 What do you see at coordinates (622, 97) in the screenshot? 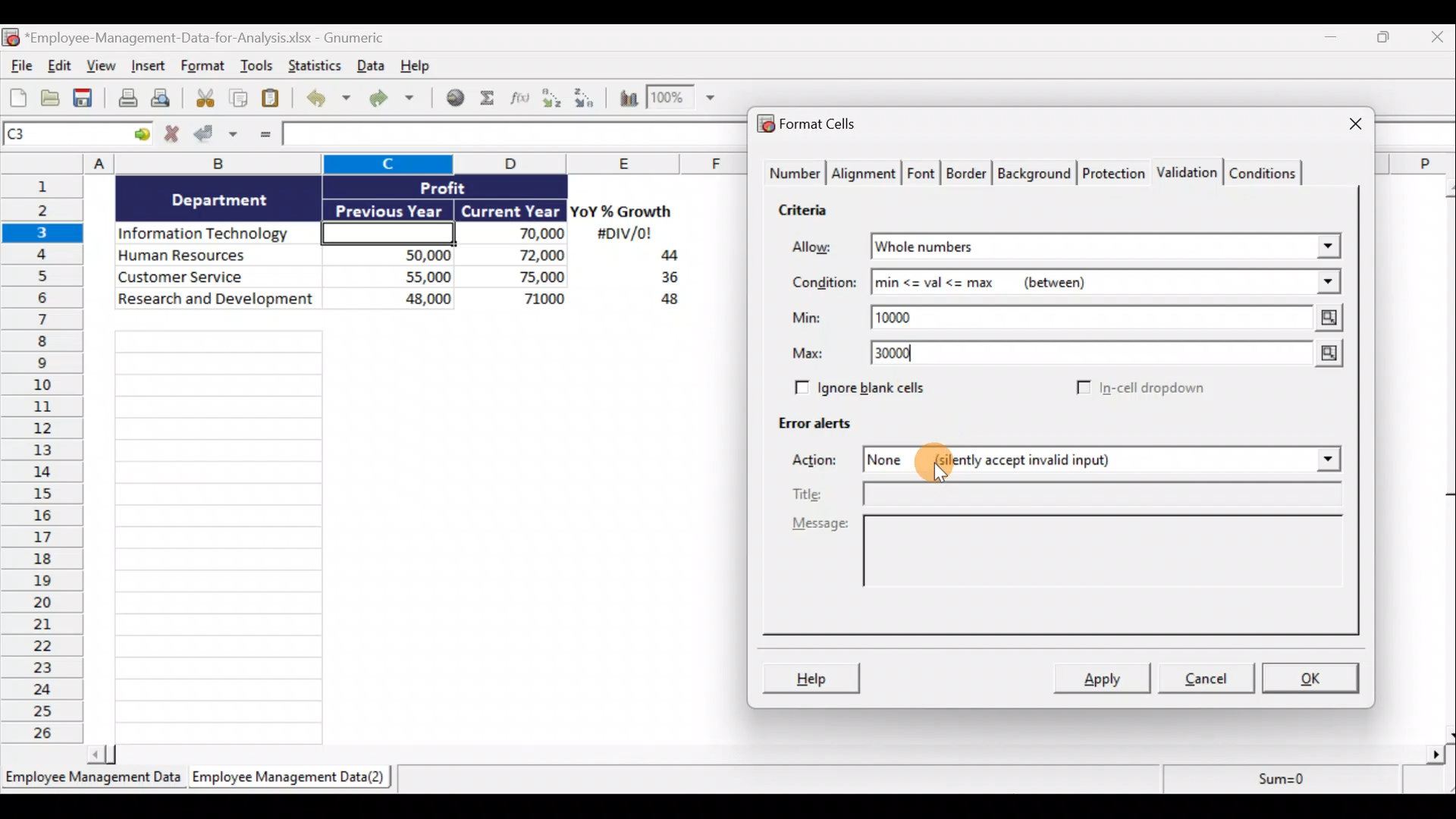
I see `Insert a chart` at bounding box center [622, 97].